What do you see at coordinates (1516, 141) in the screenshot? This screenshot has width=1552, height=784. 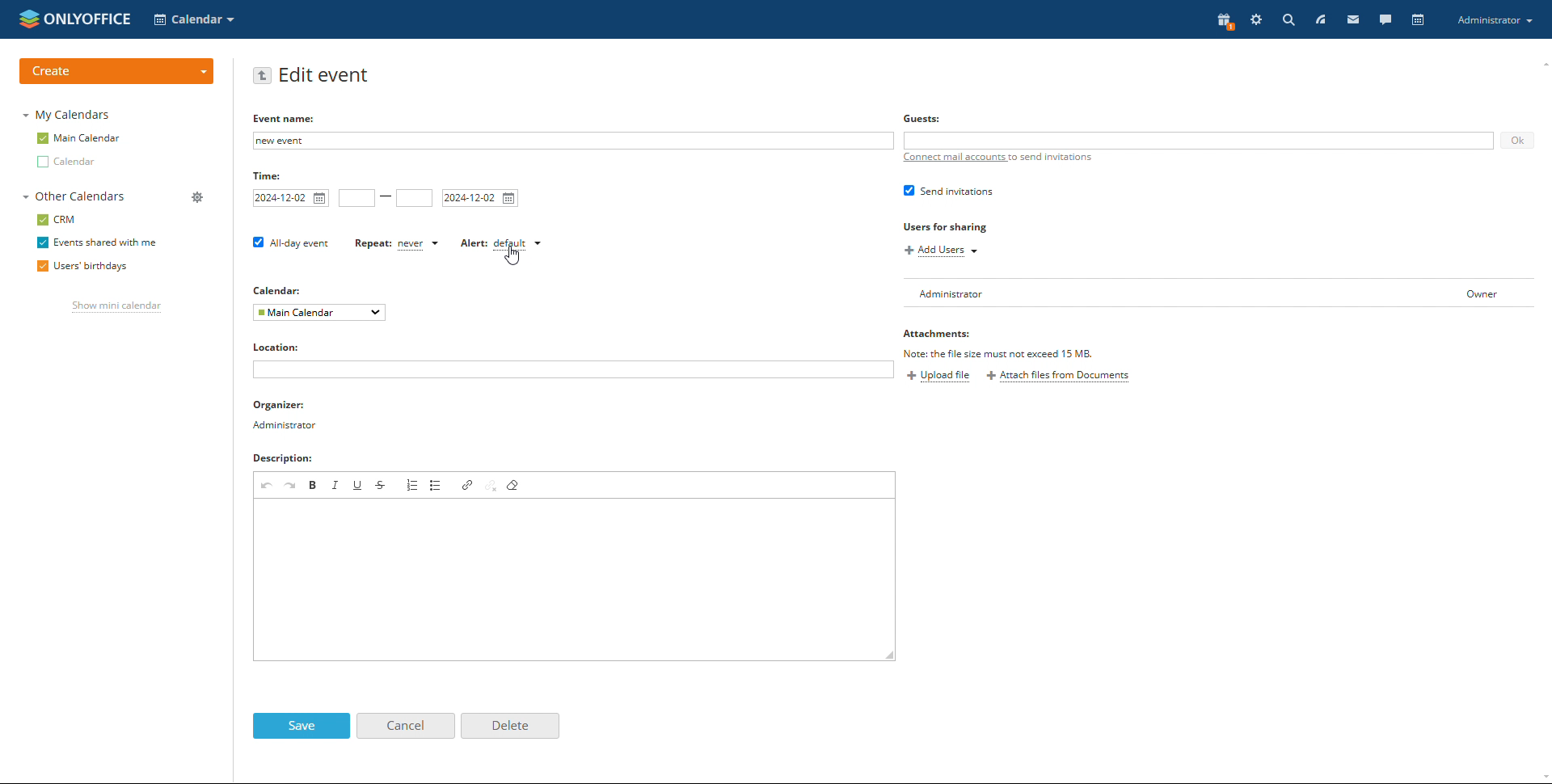 I see `ok` at bounding box center [1516, 141].